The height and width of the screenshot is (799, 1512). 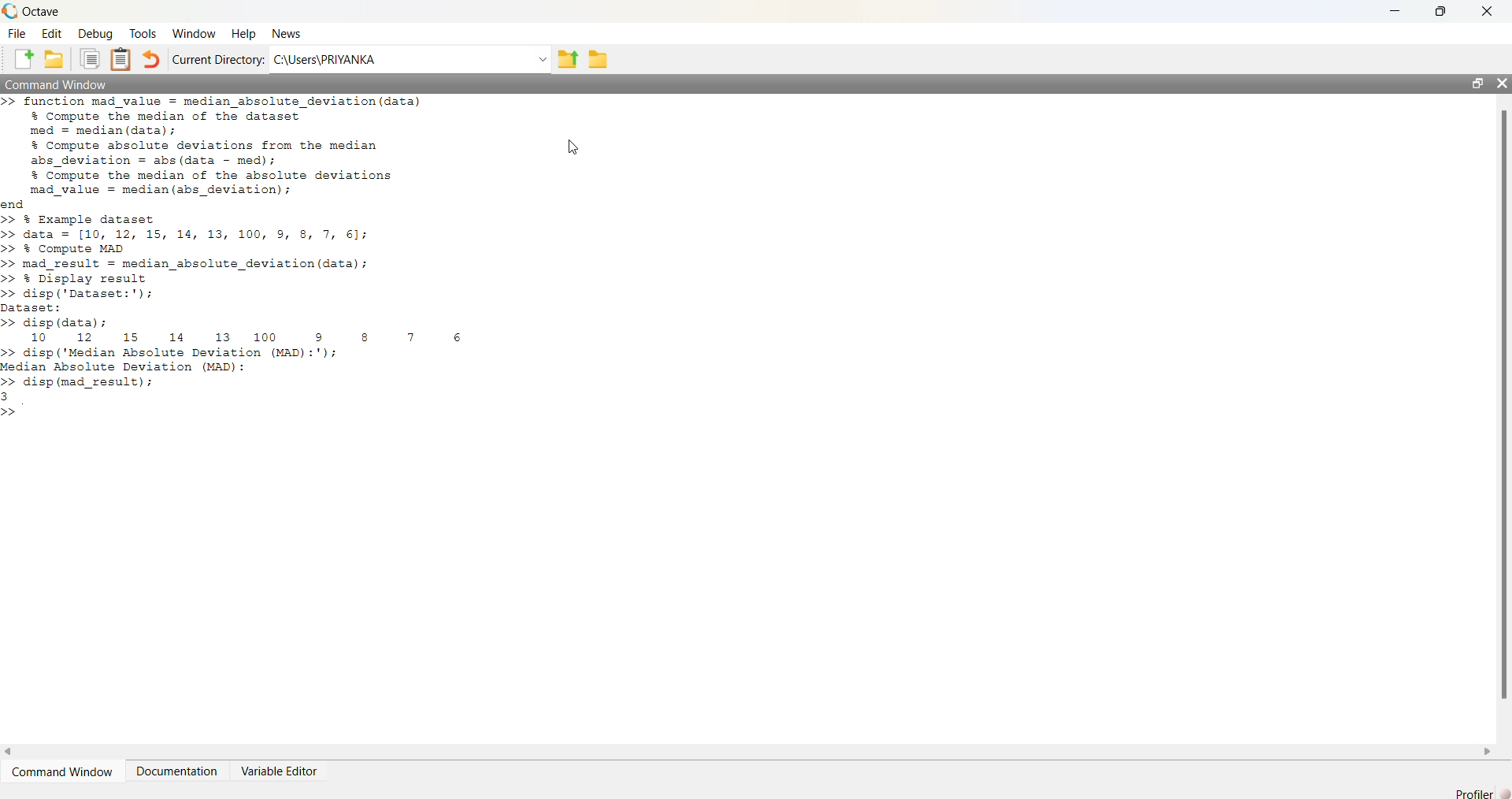 What do you see at coordinates (9, 11) in the screenshot?
I see `Octave` at bounding box center [9, 11].